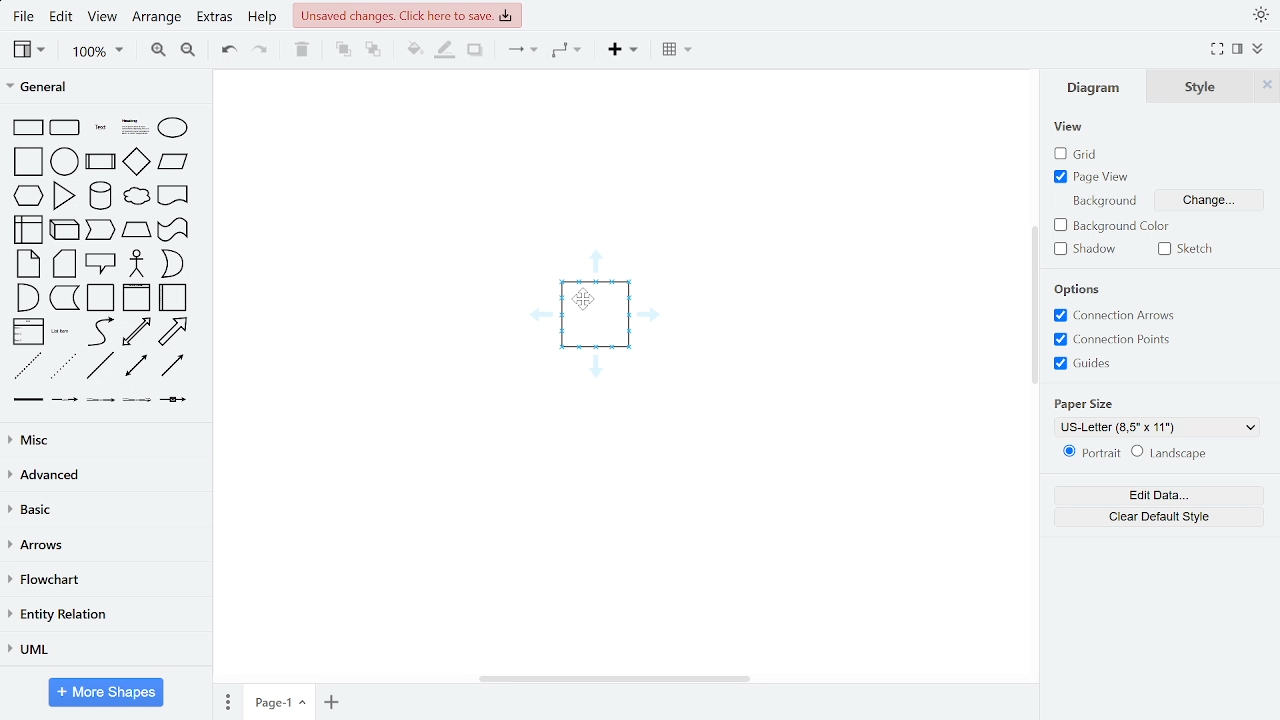  Describe the element at coordinates (1105, 199) in the screenshot. I see `text` at that location.